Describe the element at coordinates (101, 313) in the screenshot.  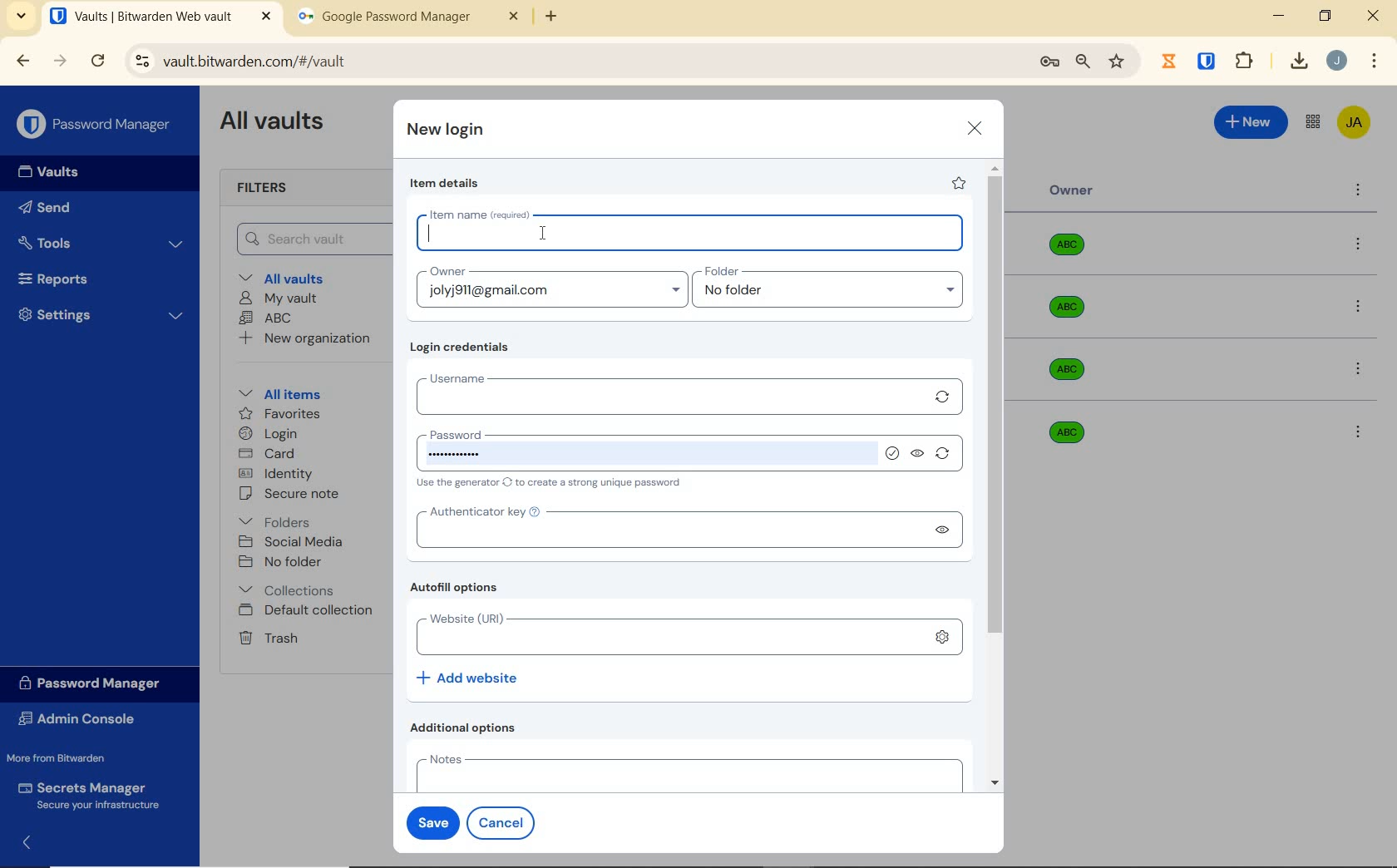
I see `Settings` at that location.